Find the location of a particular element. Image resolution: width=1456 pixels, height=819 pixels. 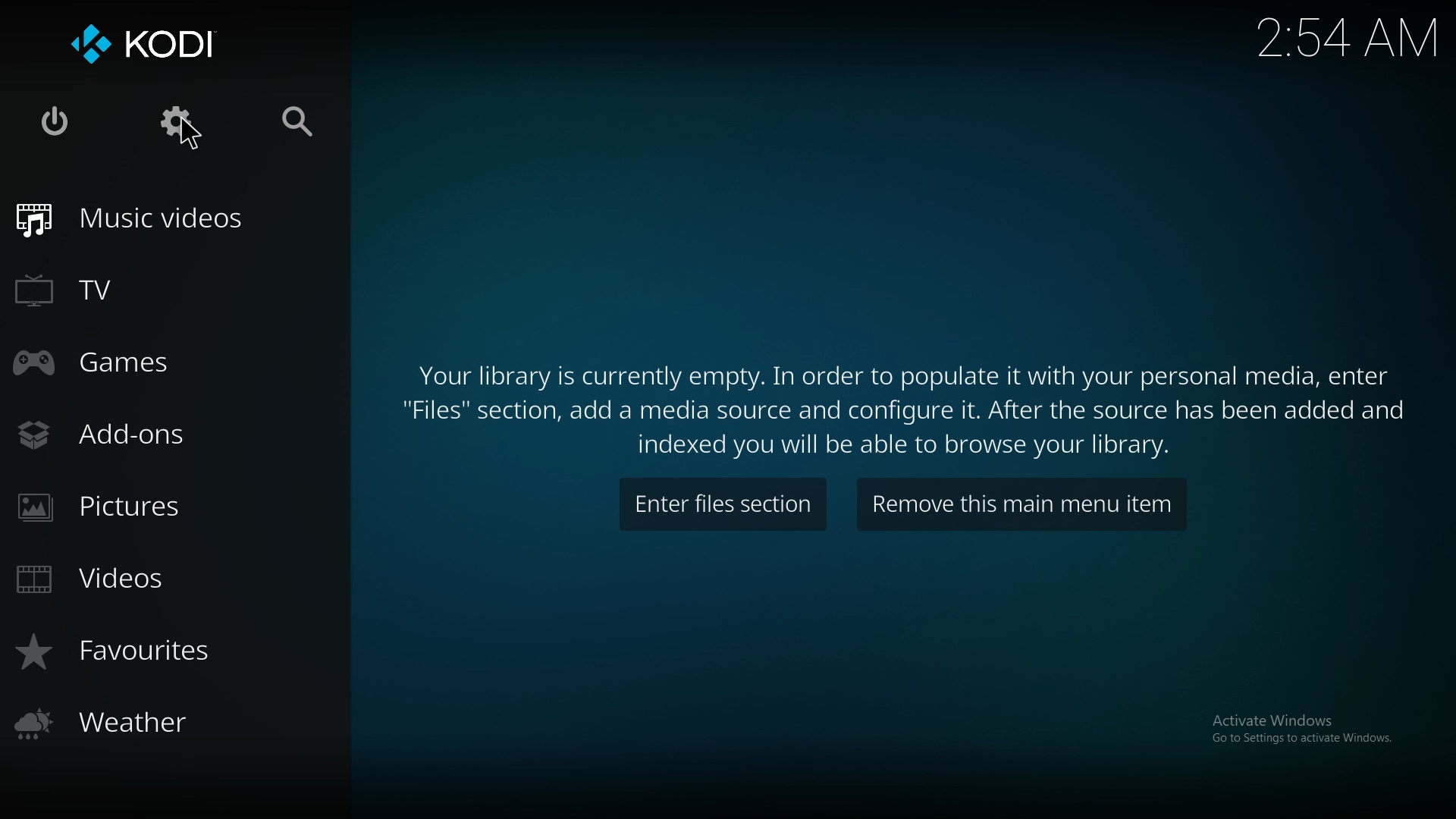

pictures is located at coordinates (114, 508).